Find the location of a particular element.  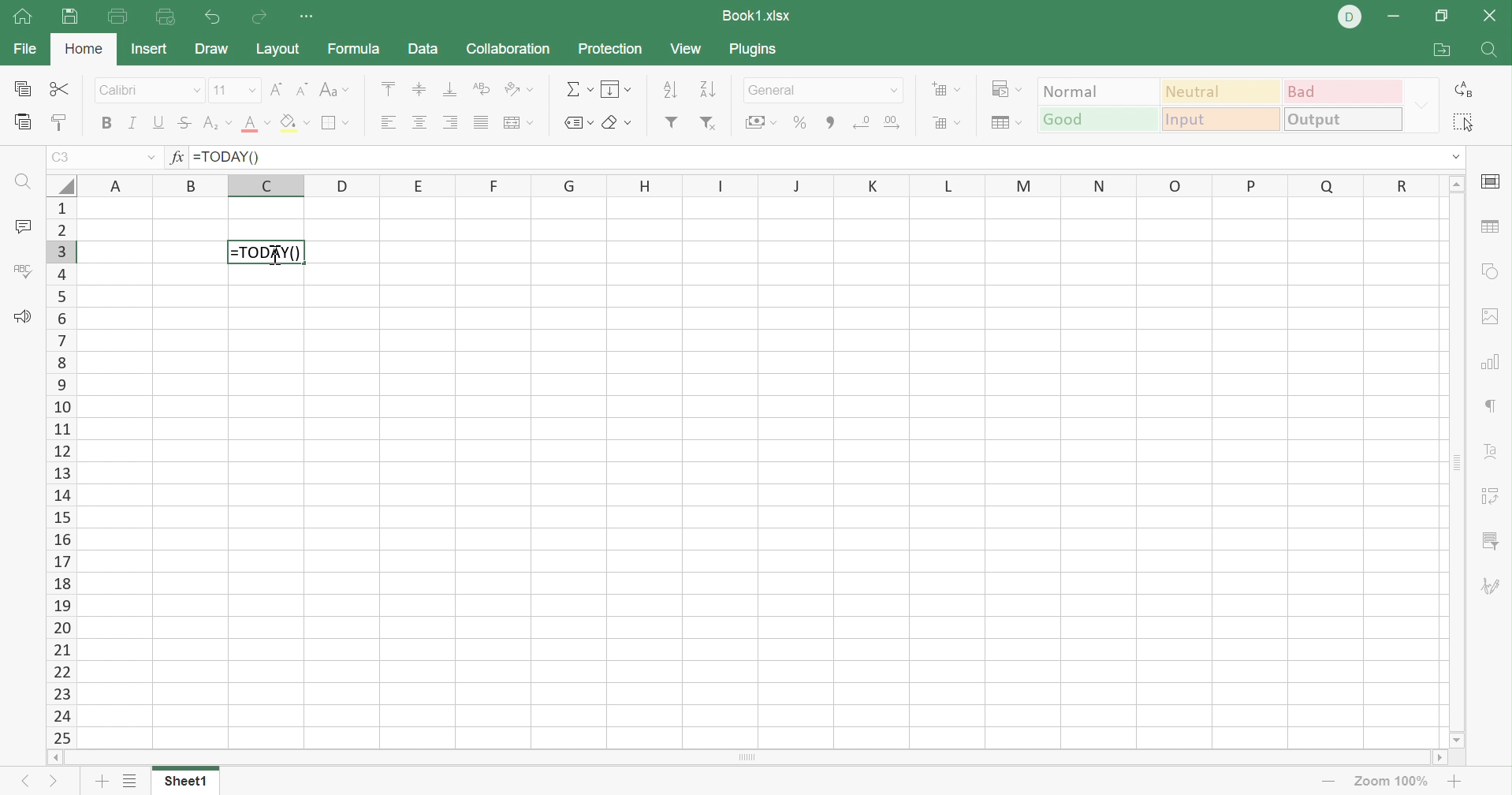

Chart settings is located at coordinates (1490, 364).